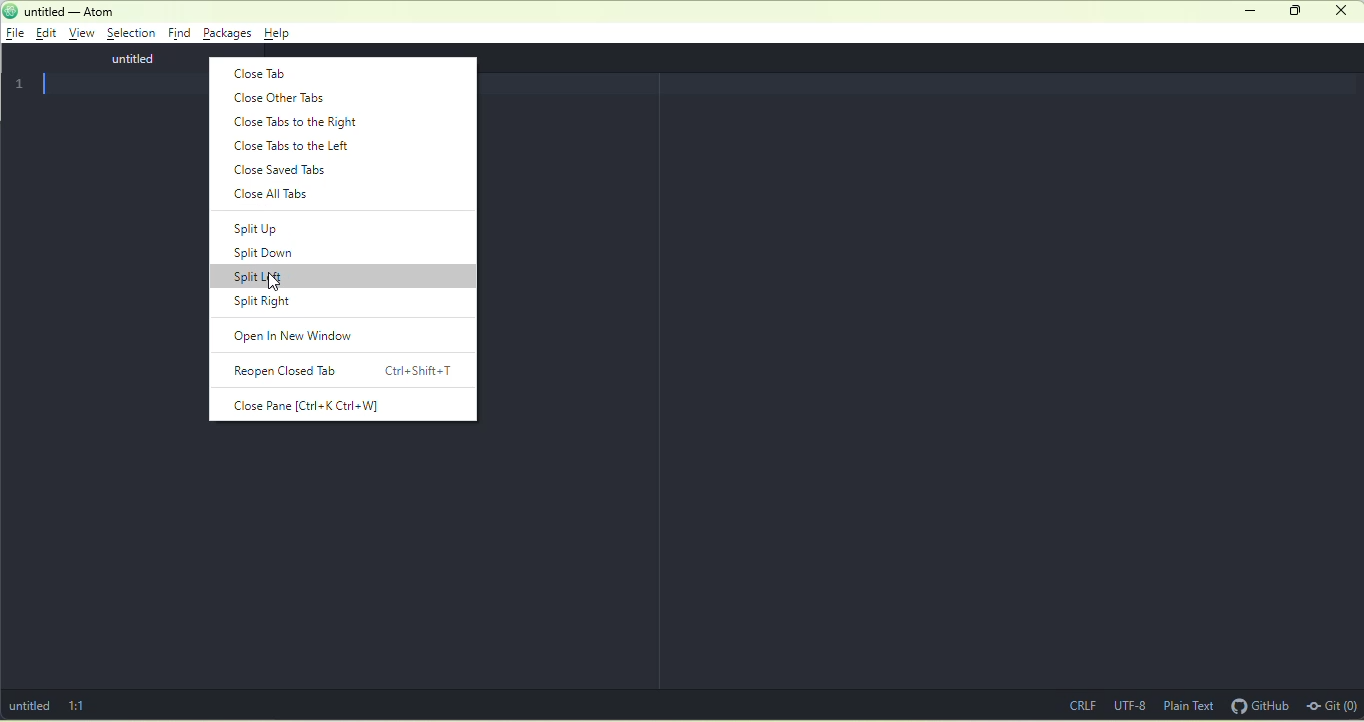 The image size is (1364, 722). I want to click on close pane, so click(310, 406).